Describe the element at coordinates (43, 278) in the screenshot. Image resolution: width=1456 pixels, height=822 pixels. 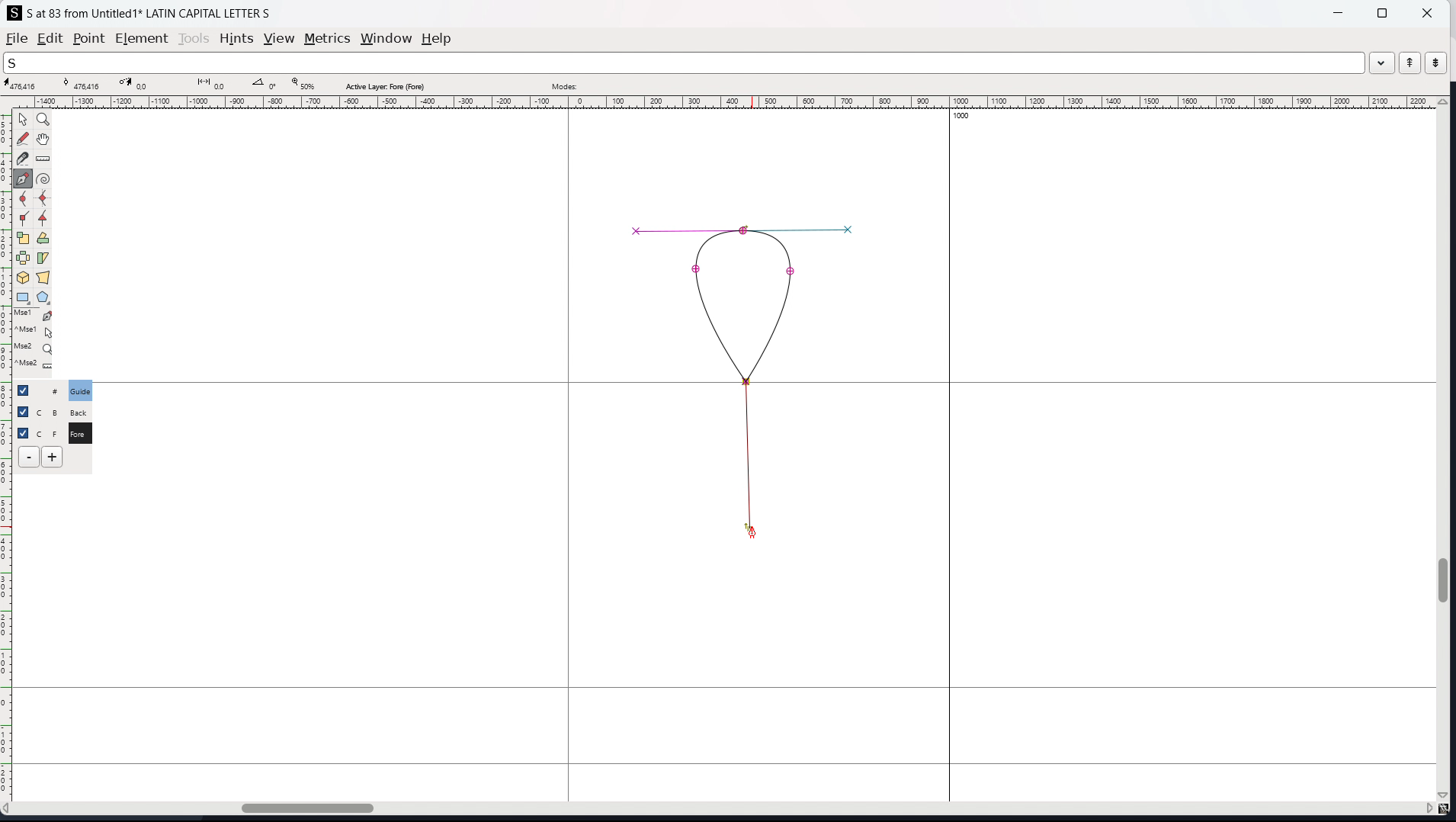
I see `perspective transformation` at that location.